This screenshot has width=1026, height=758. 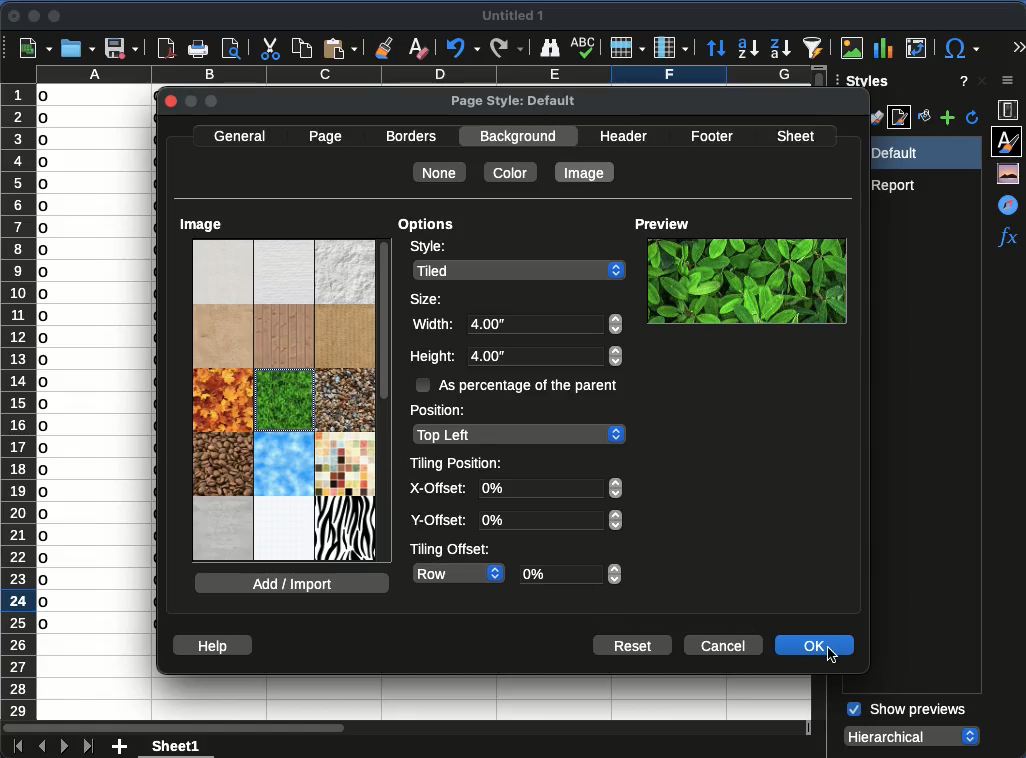 What do you see at coordinates (459, 572) in the screenshot?
I see `row` at bounding box center [459, 572].